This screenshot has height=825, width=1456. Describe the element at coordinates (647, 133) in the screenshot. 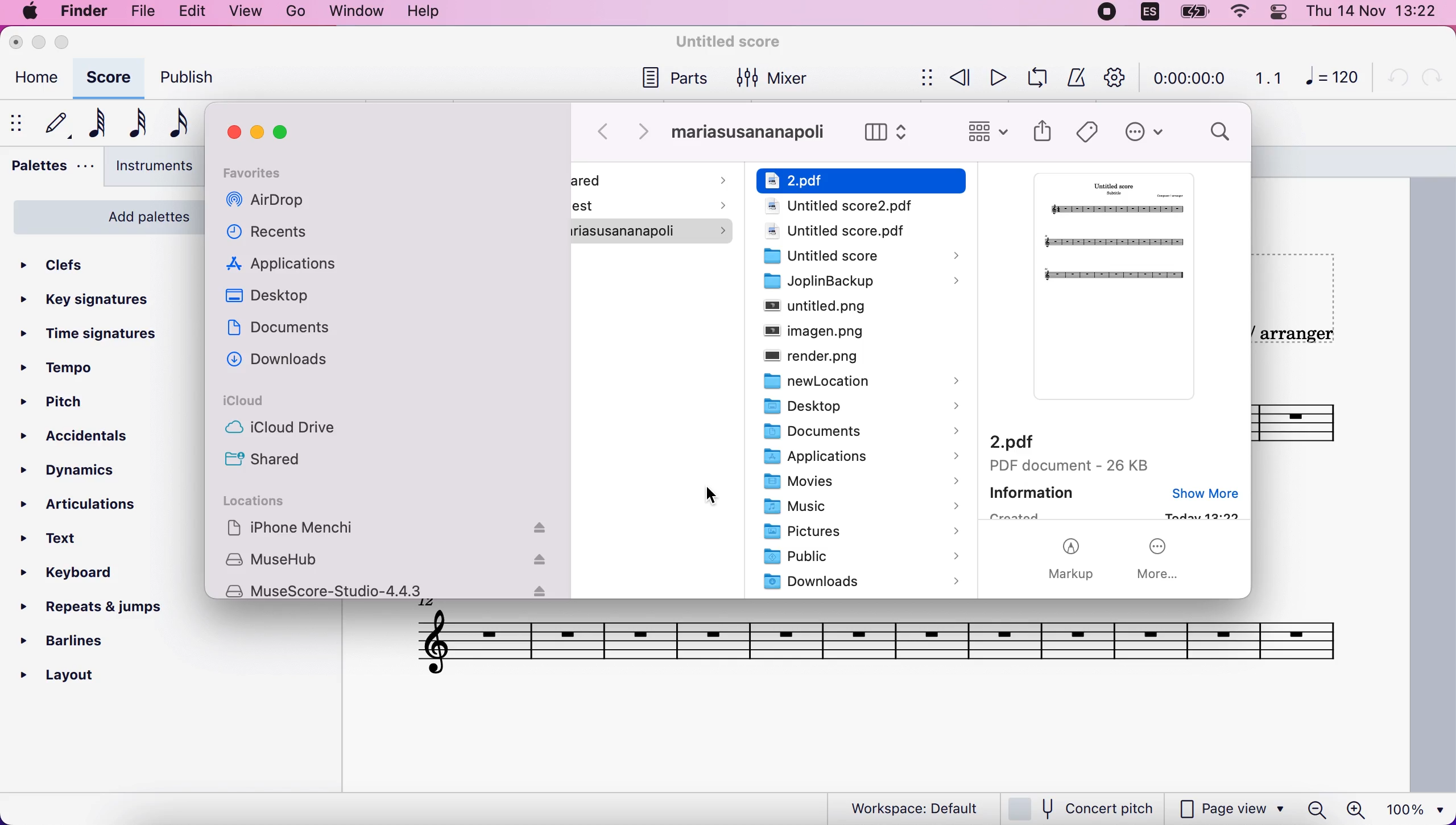

I see `forward` at that location.